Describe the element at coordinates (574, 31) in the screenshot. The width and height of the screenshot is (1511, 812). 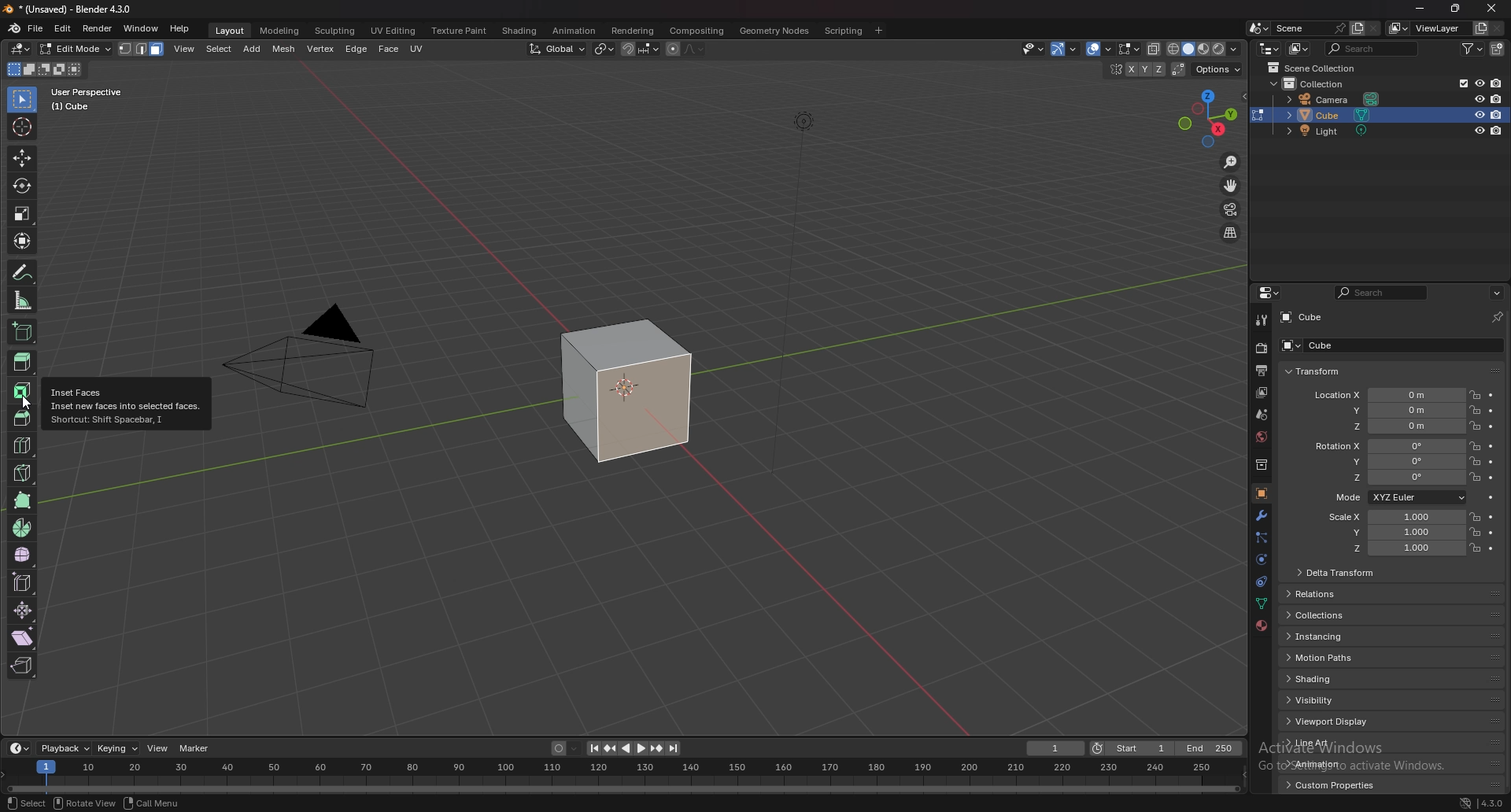
I see `animation` at that location.